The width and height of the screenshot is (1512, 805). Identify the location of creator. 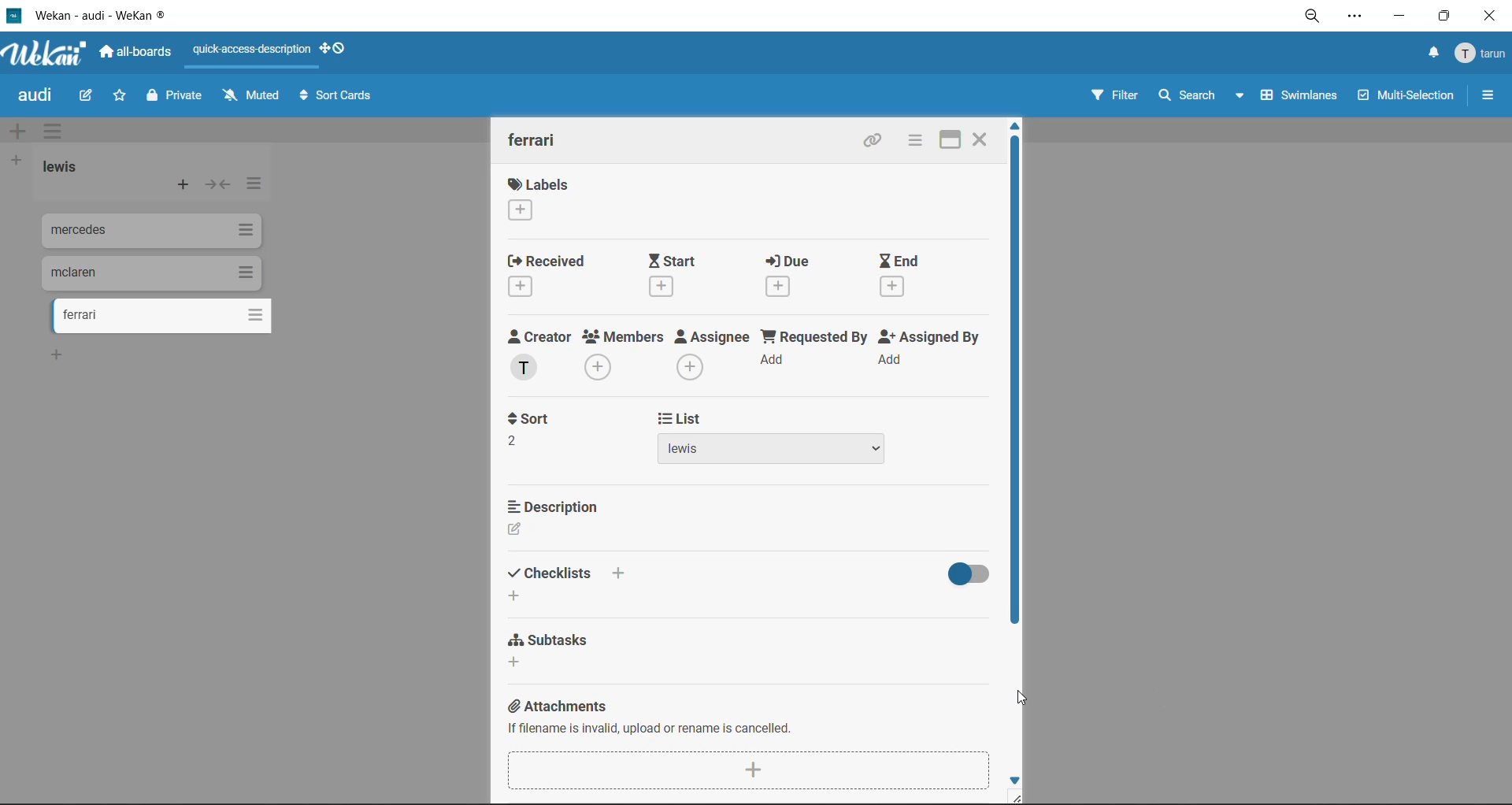
(539, 355).